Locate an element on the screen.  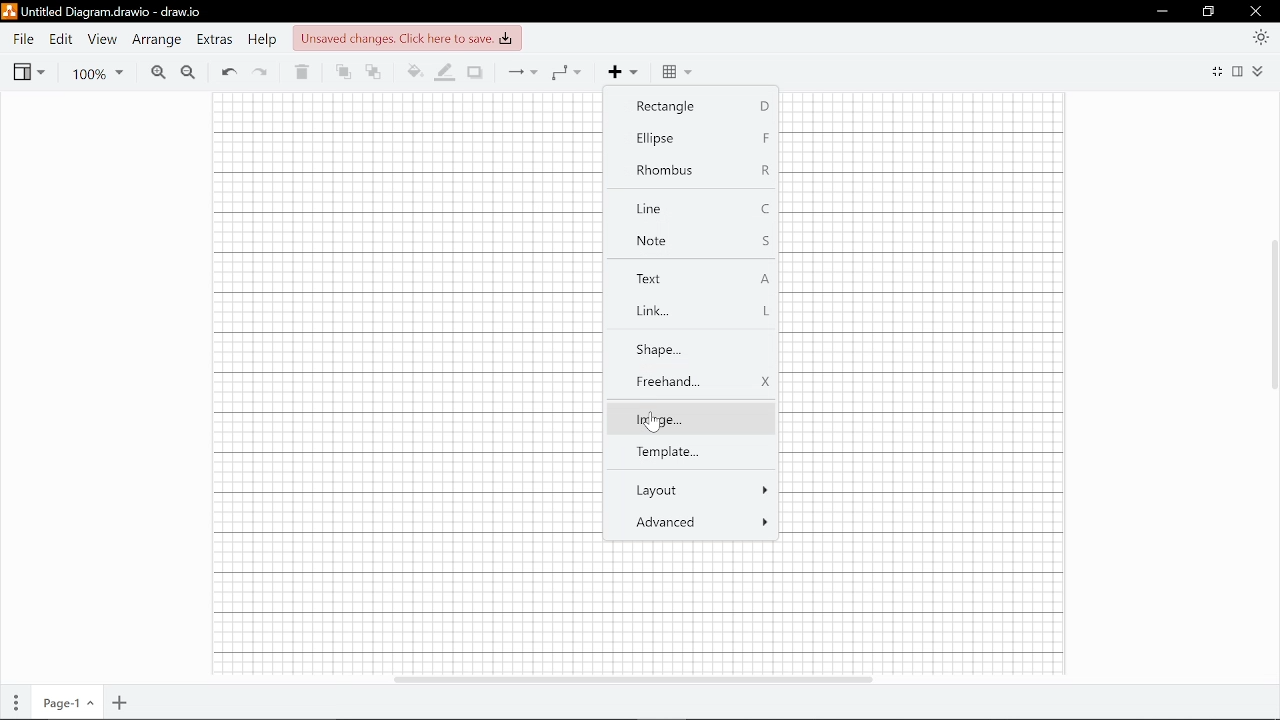
Current page is located at coordinates (66, 704).